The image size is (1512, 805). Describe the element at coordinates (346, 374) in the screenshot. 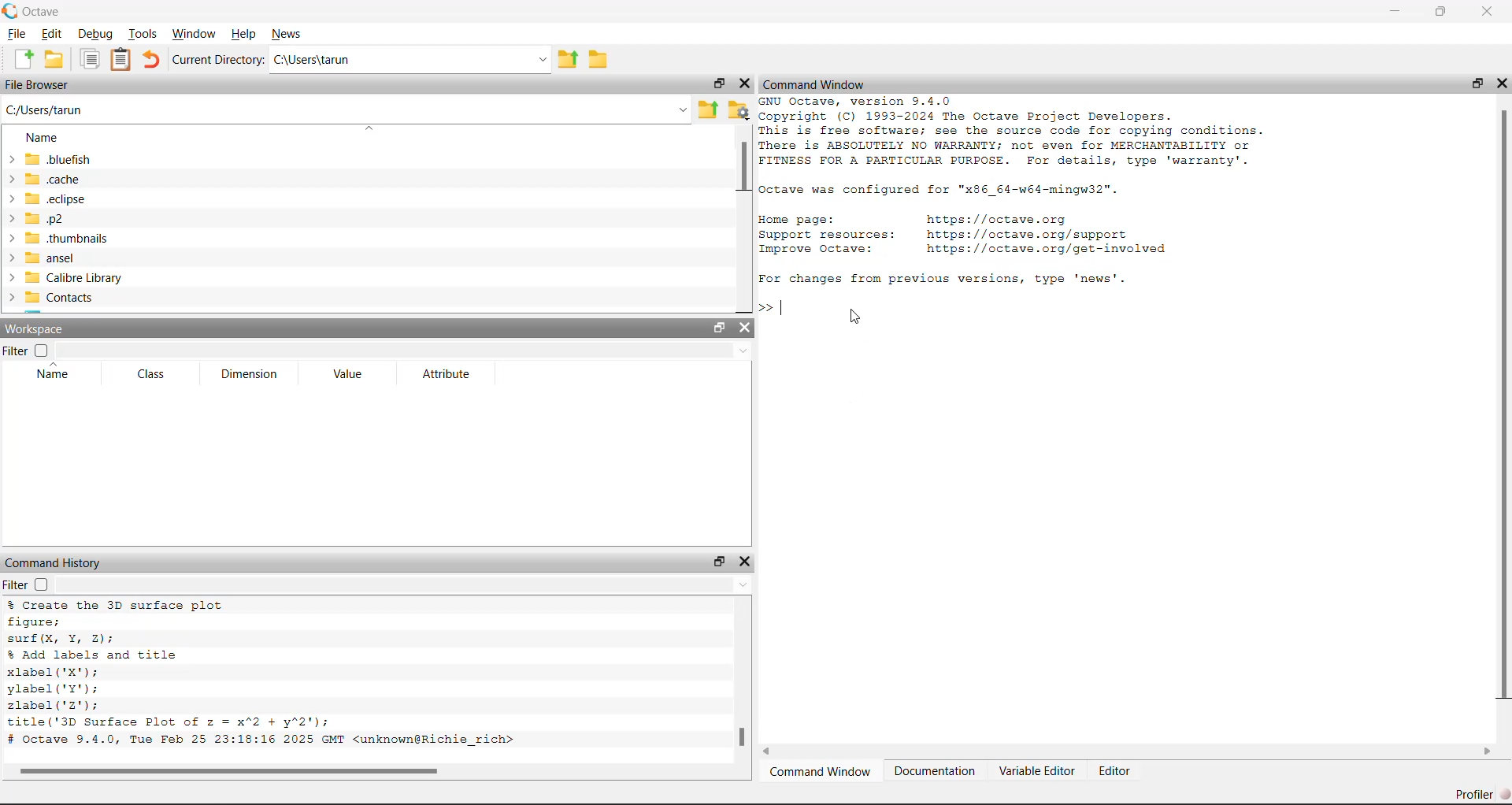

I see `Value` at that location.